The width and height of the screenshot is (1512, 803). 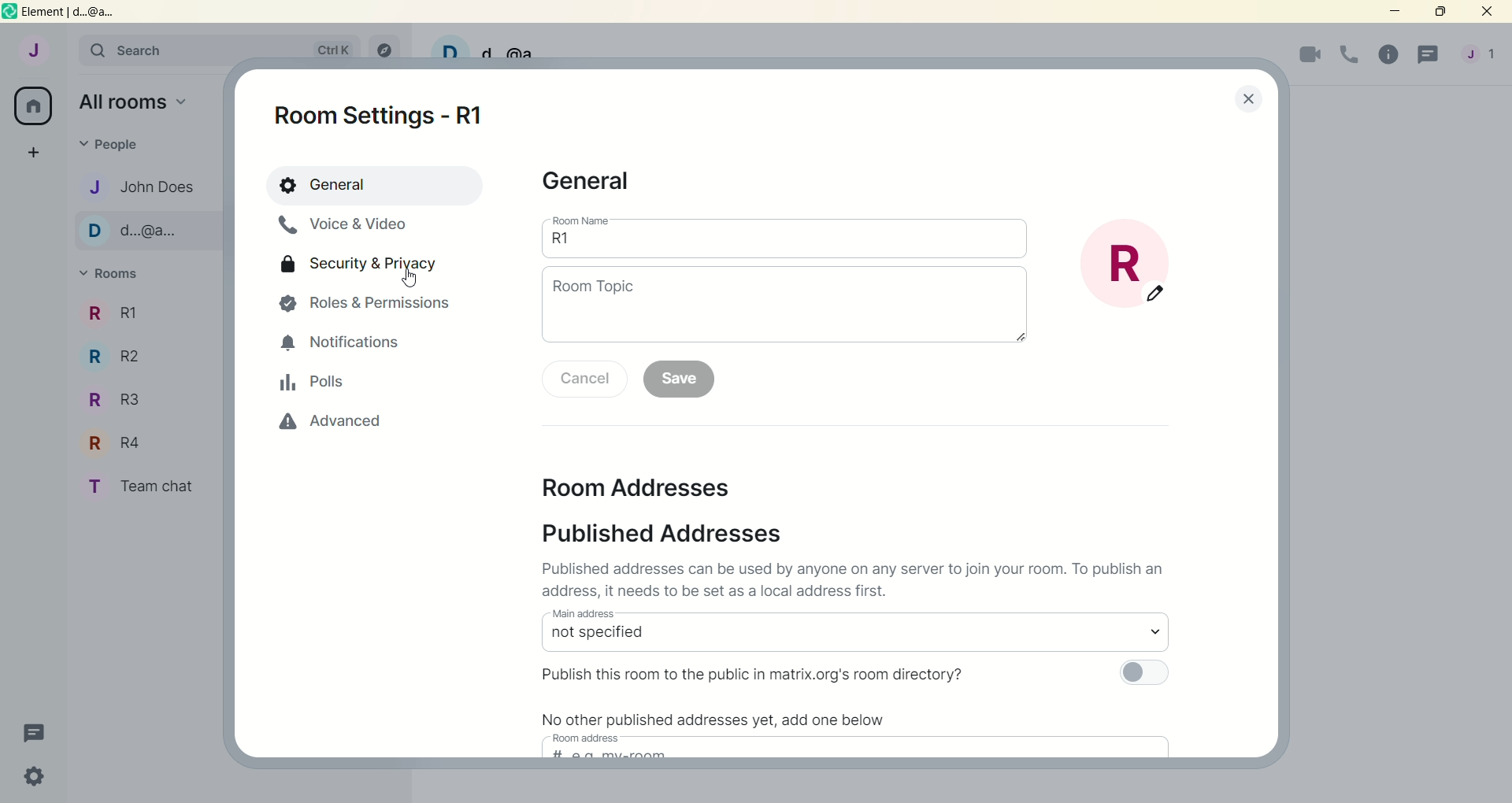 What do you see at coordinates (713, 718) in the screenshot?
I see `No other published addresses yet, add one below` at bounding box center [713, 718].